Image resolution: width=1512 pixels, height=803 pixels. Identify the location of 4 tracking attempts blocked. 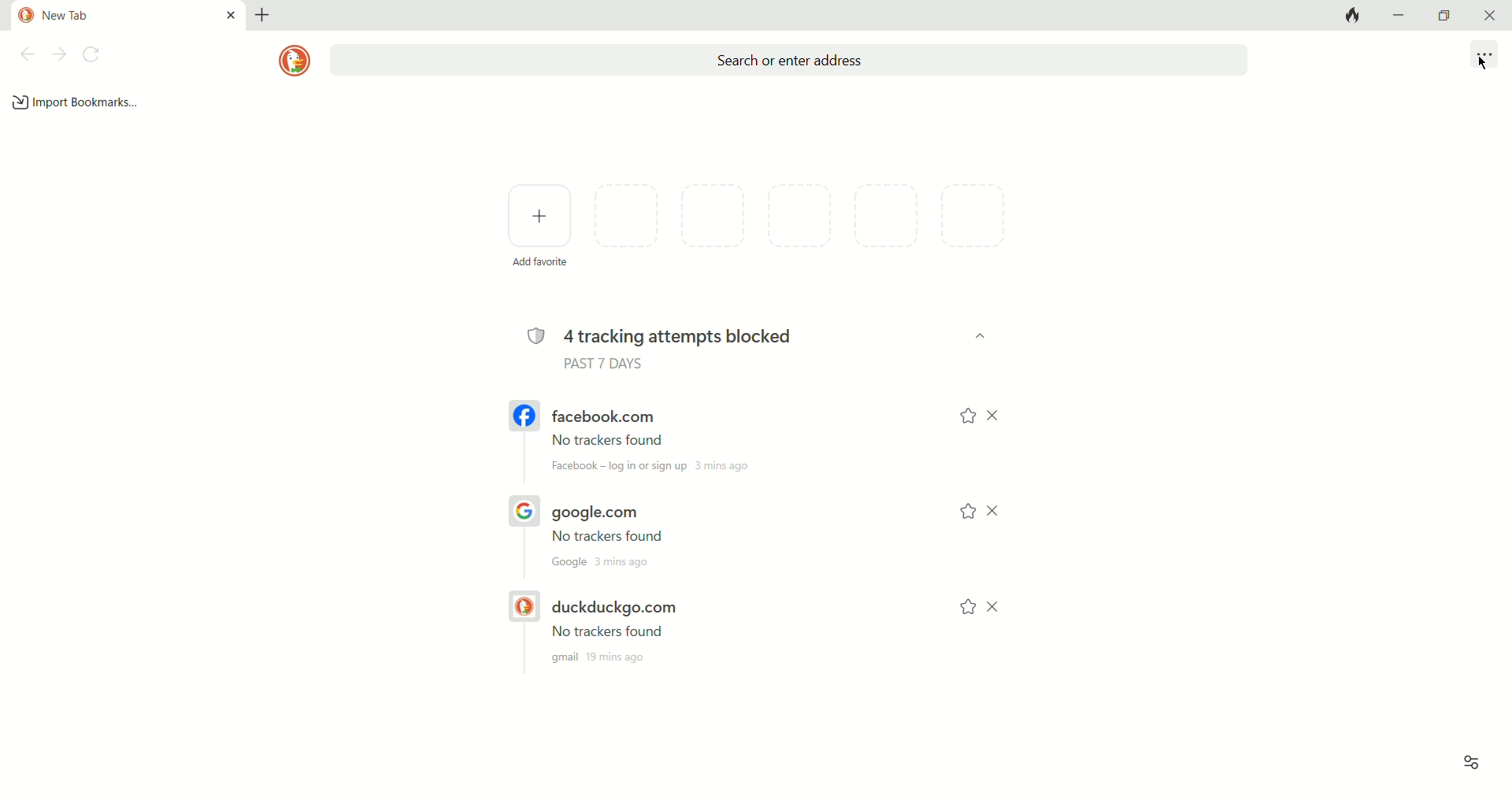
(662, 332).